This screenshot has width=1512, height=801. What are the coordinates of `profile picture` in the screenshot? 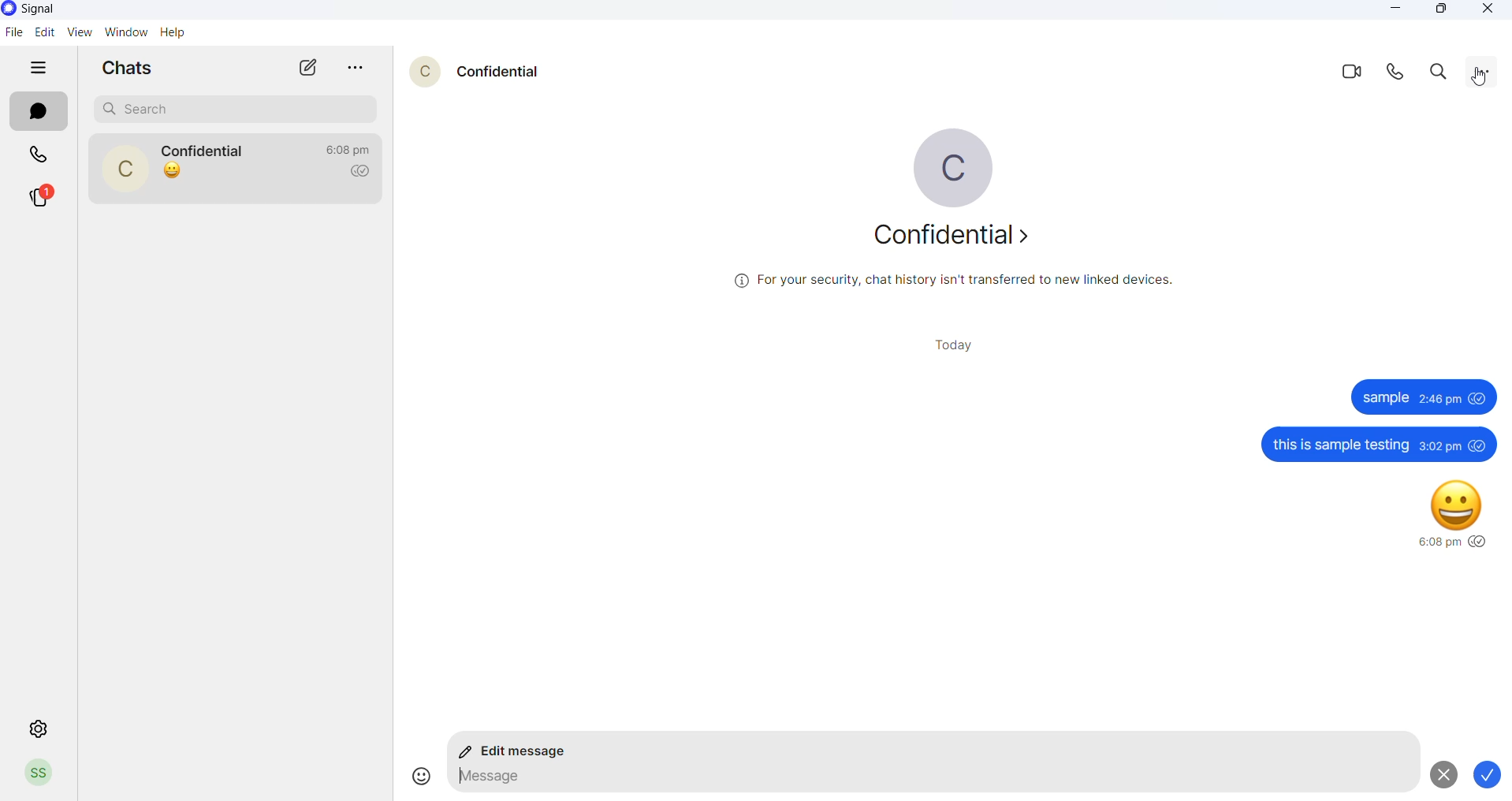 It's located at (125, 167).